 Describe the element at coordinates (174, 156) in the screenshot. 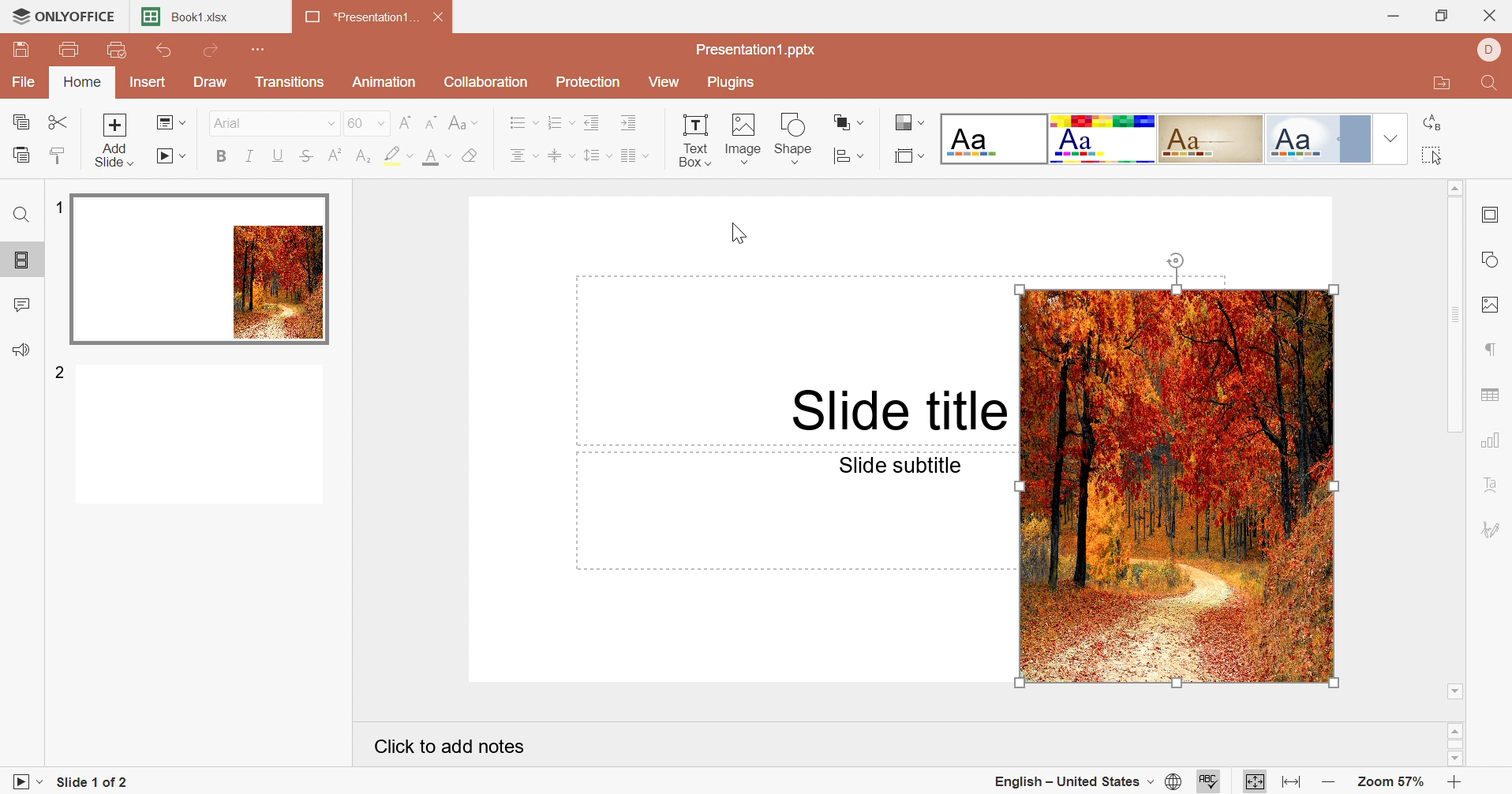

I see `Start slideshow` at that location.